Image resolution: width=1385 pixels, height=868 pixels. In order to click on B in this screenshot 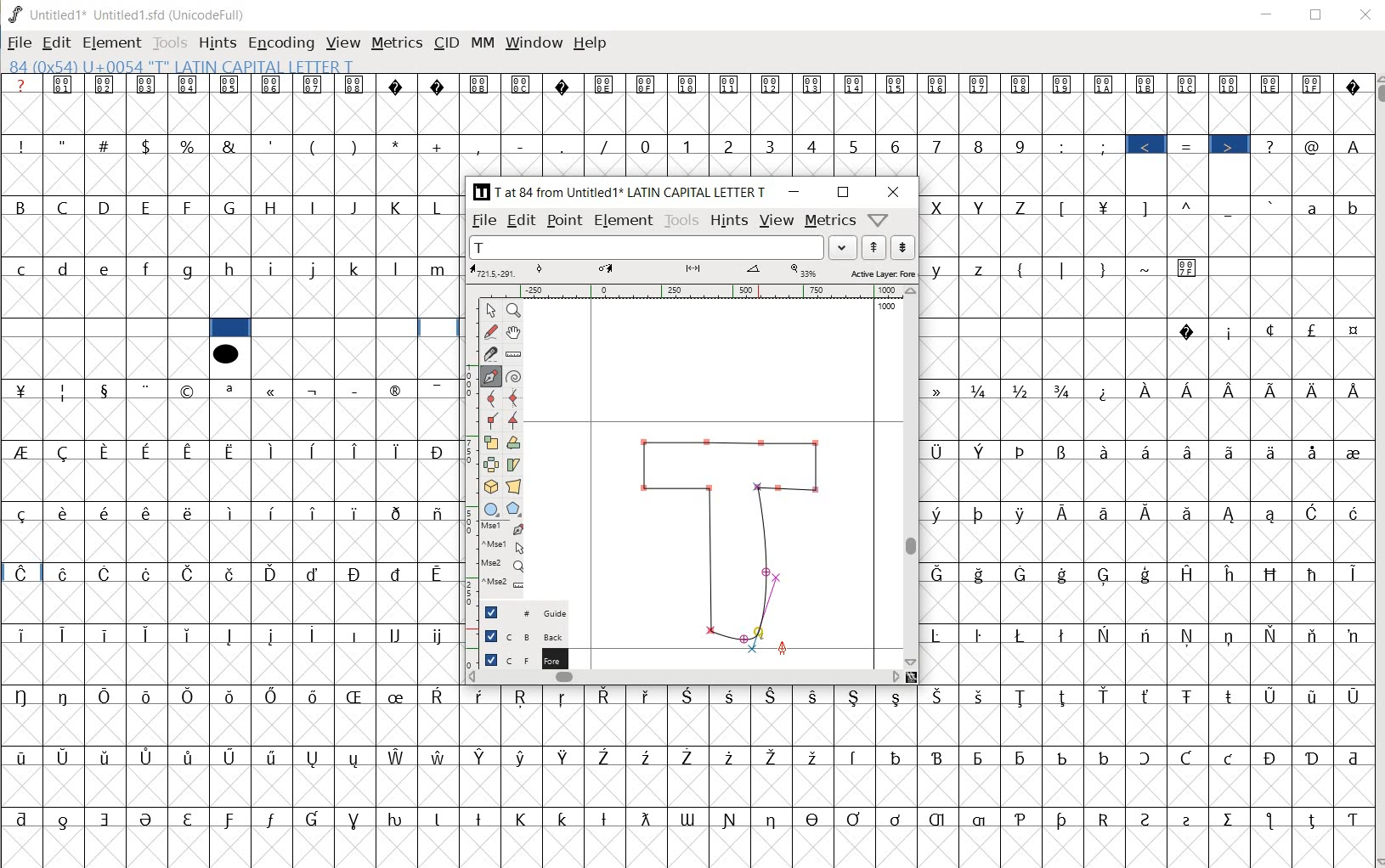, I will do `click(22, 208)`.